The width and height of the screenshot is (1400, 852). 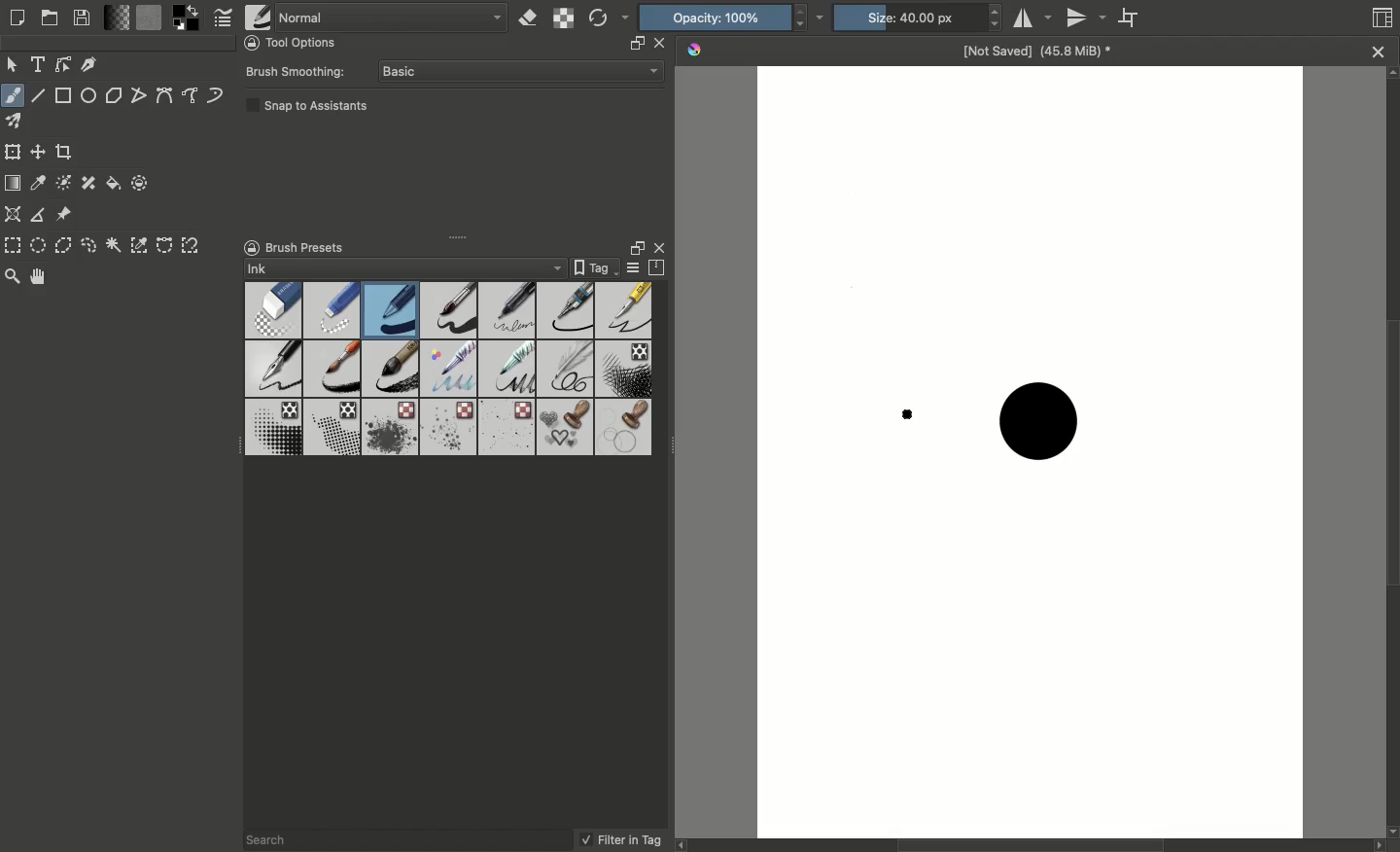 What do you see at coordinates (297, 42) in the screenshot?
I see `Tool options` at bounding box center [297, 42].